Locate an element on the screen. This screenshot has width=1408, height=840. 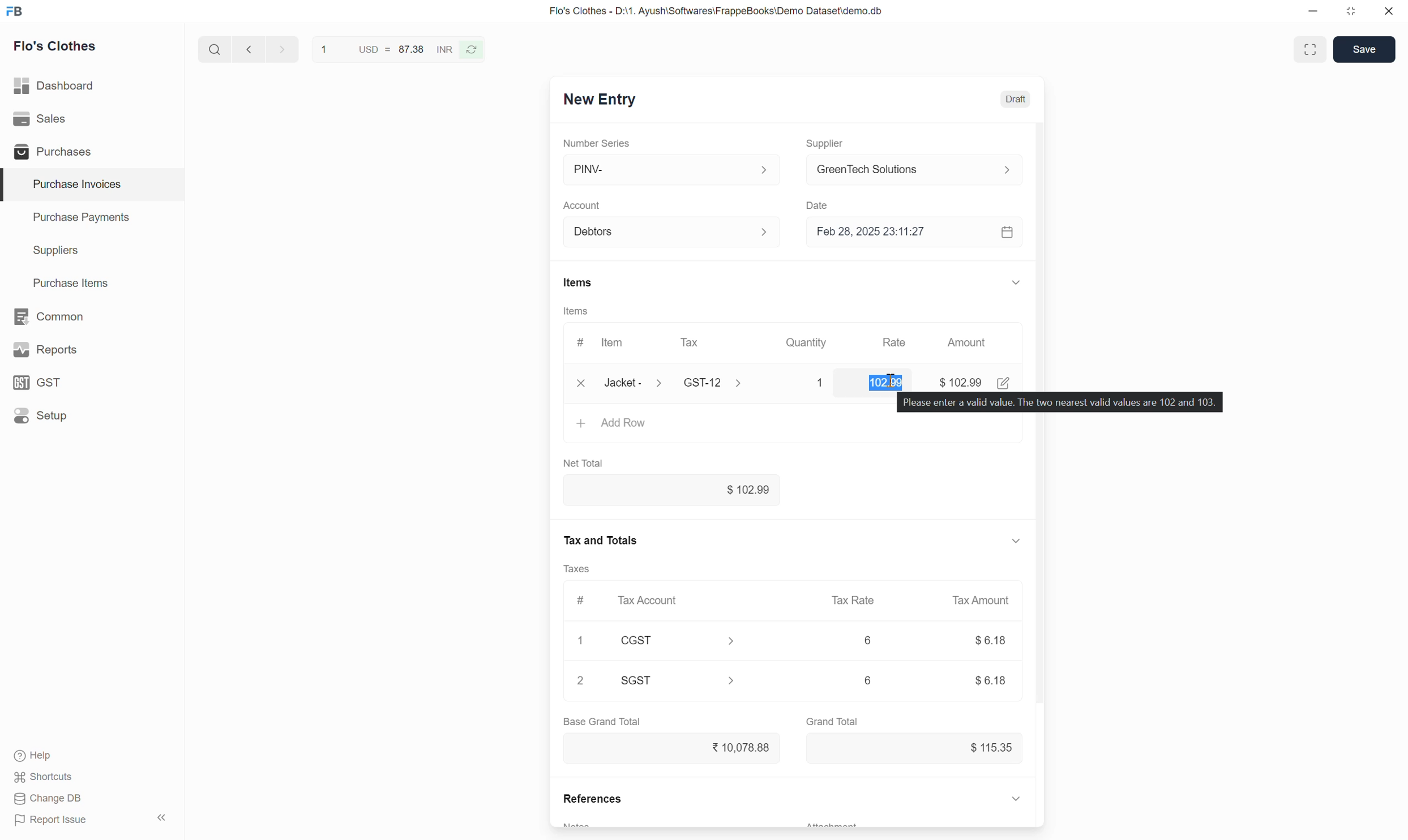
$6.18 is located at coordinates (991, 640).